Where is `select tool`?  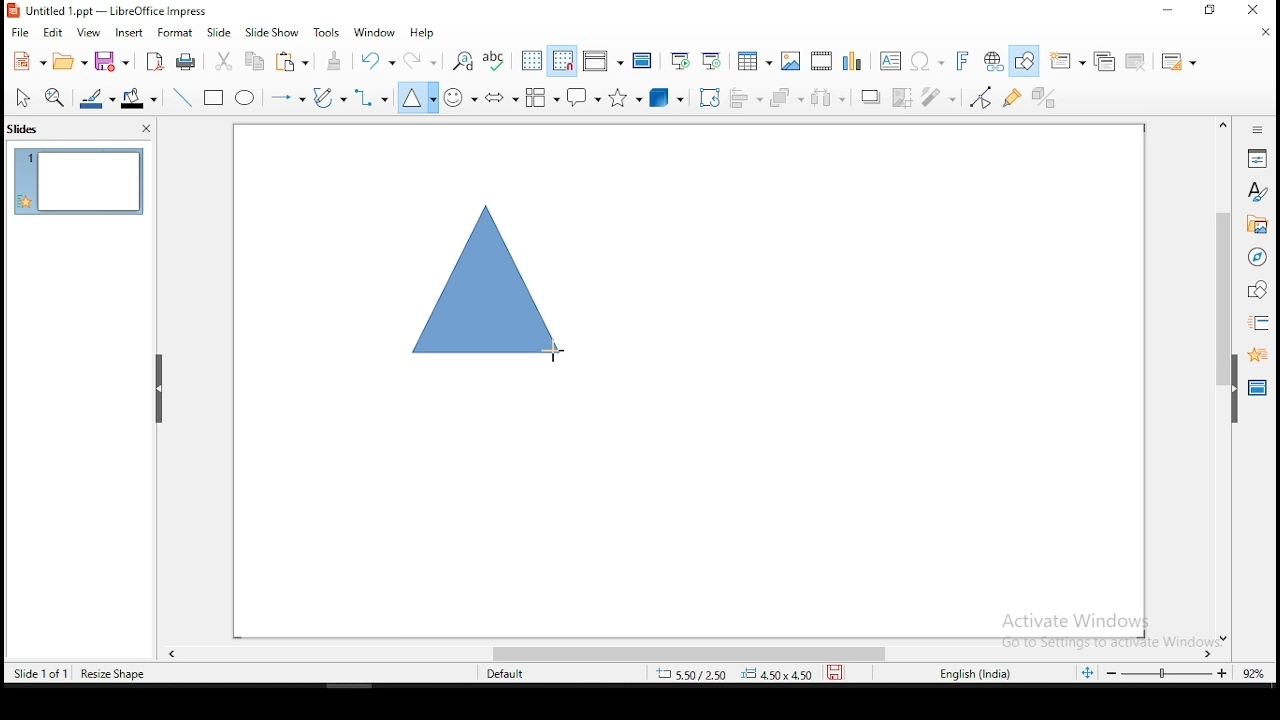 select tool is located at coordinates (22, 97).